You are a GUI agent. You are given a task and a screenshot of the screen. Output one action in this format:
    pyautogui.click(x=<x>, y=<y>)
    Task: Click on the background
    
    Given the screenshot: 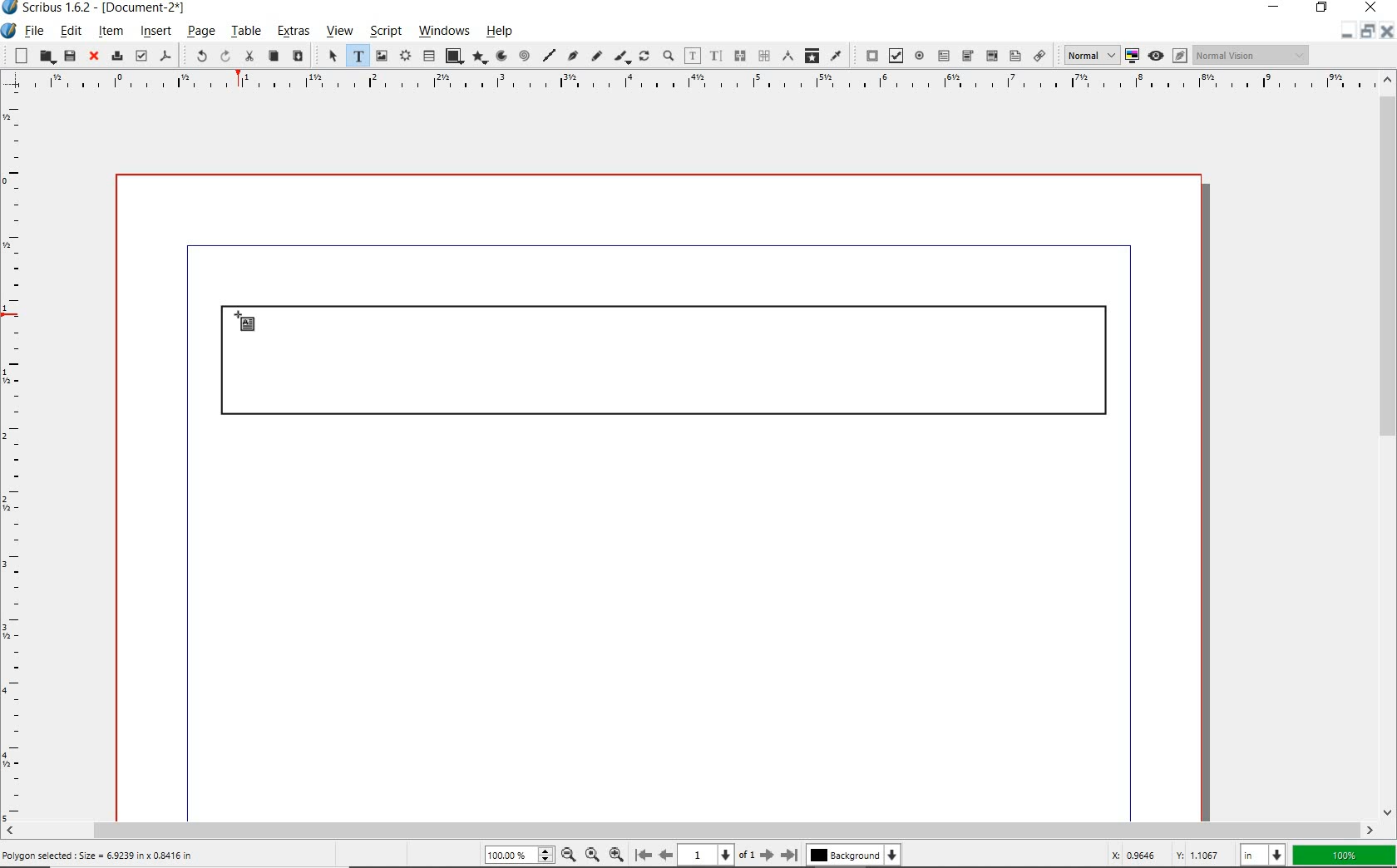 What is the action you would take?
    pyautogui.click(x=856, y=855)
    